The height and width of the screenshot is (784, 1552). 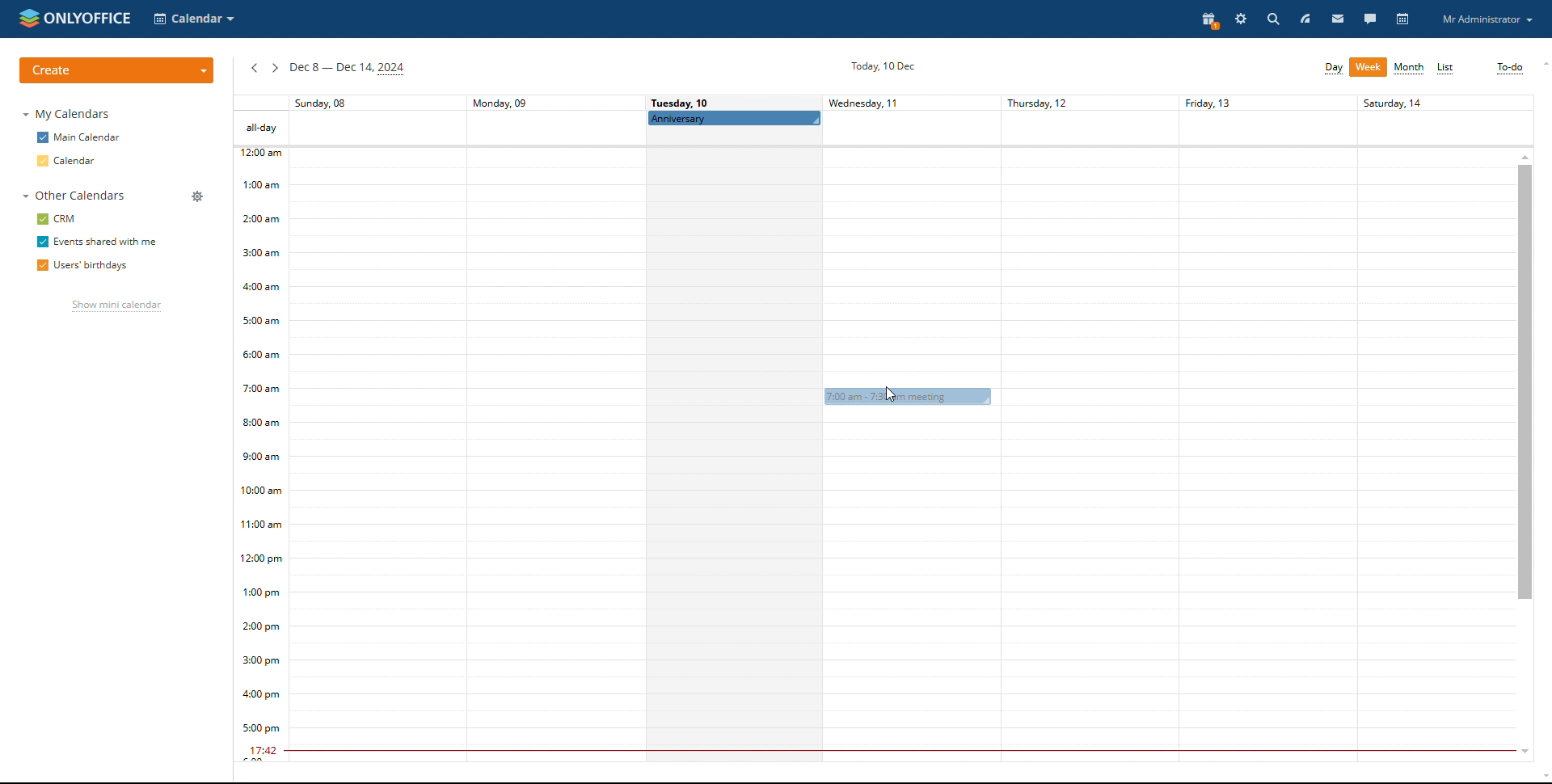 What do you see at coordinates (58, 219) in the screenshot?
I see `crm` at bounding box center [58, 219].